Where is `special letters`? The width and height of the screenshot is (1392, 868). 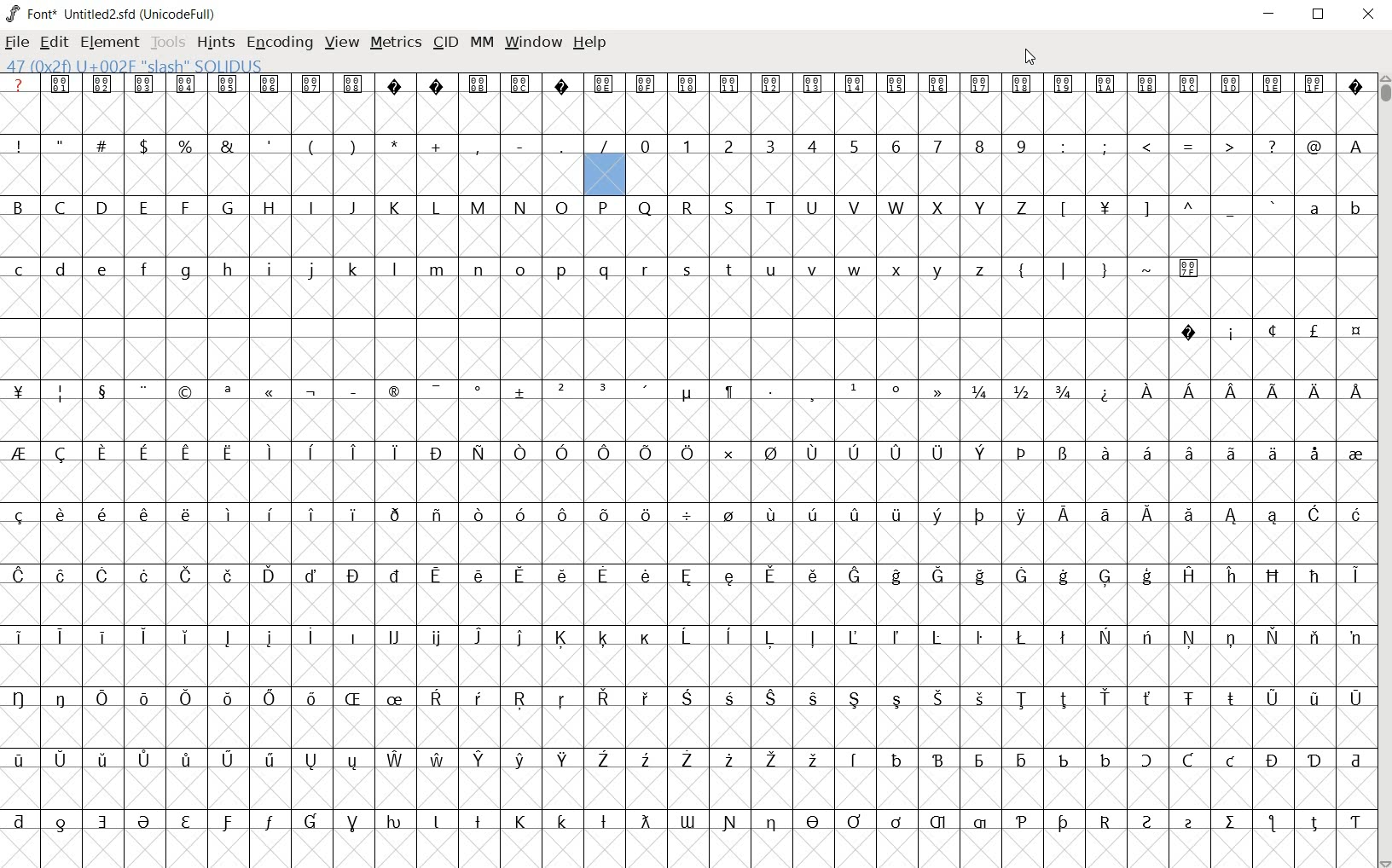 special letters is located at coordinates (686, 697).